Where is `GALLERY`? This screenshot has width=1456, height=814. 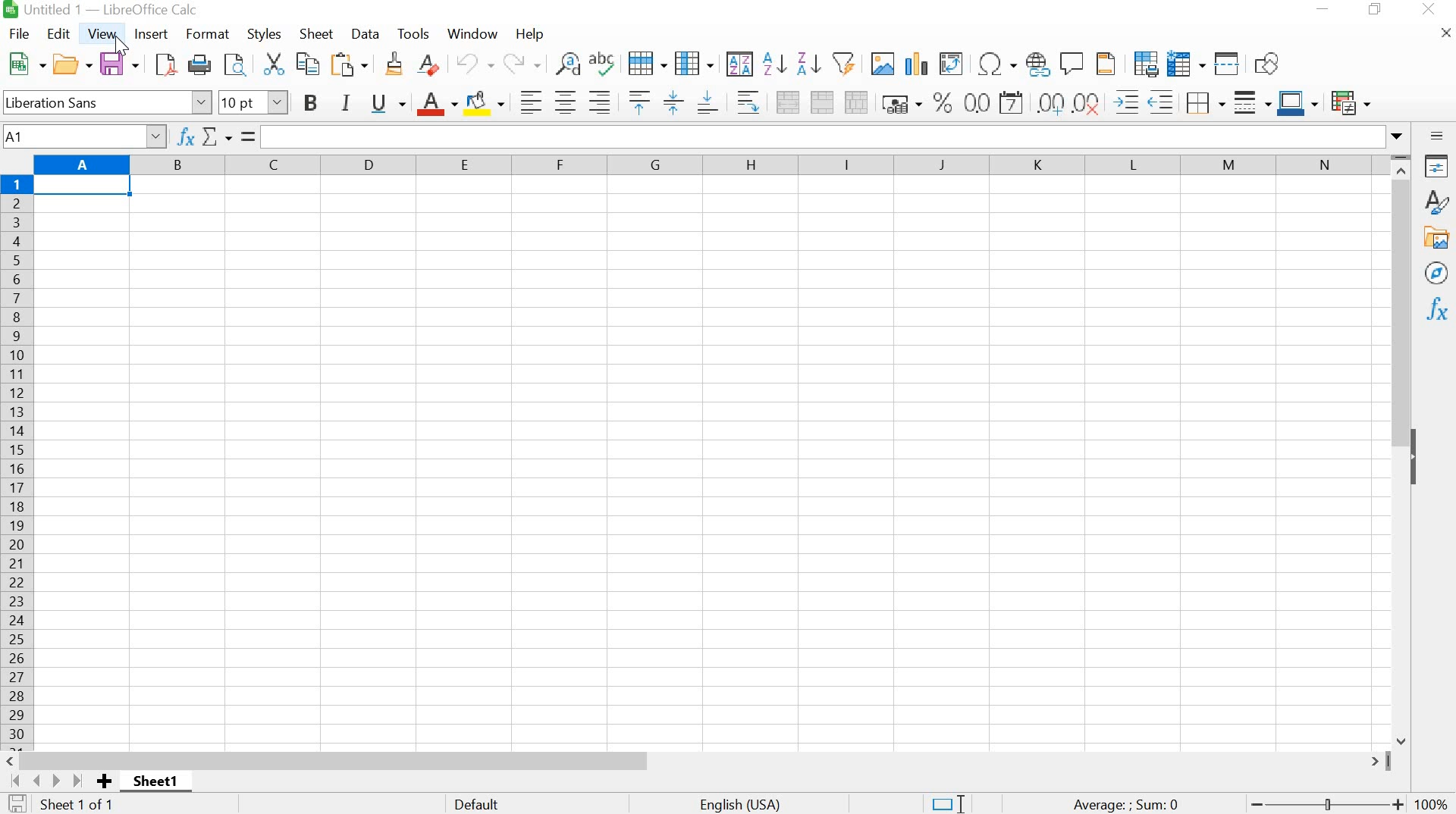 GALLERY is located at coordinates (1437, 238).